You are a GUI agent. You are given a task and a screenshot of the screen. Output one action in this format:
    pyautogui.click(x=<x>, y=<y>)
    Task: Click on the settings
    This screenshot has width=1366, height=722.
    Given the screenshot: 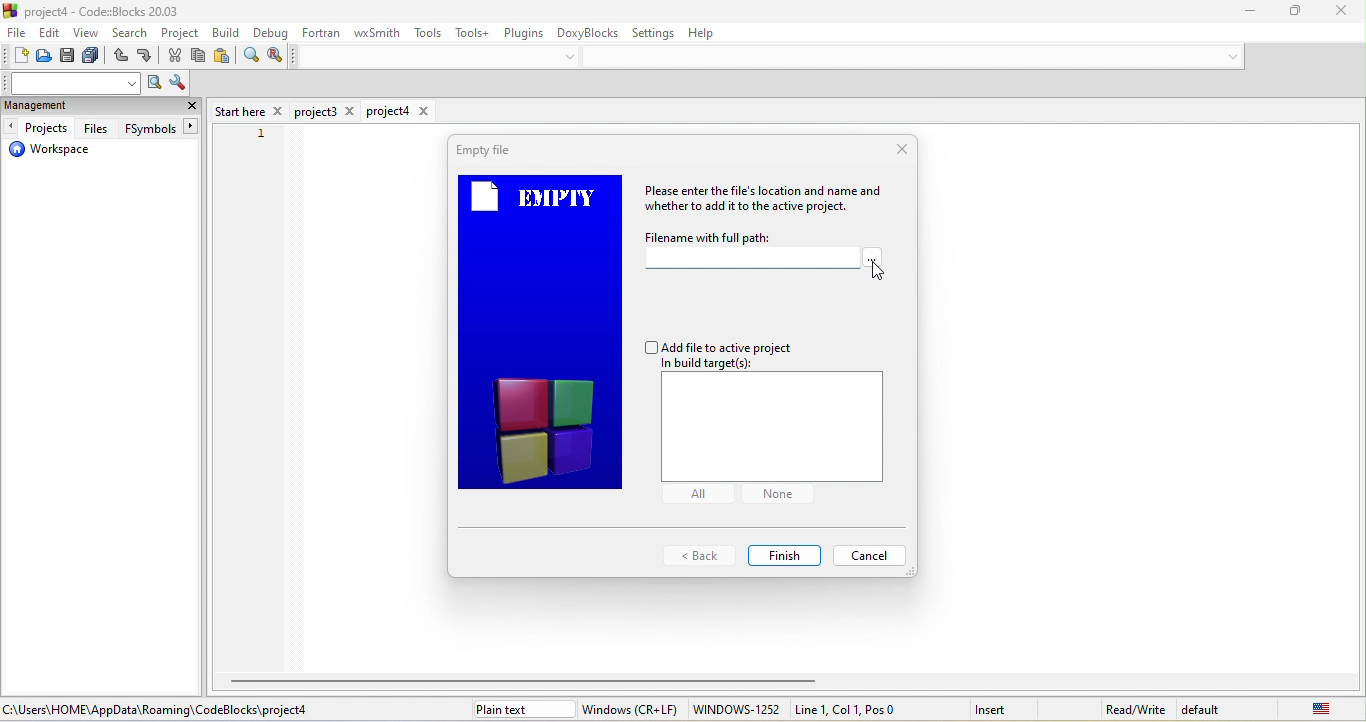 What is the action you would take?
    pyautogui.click(x=656, y=32)
    